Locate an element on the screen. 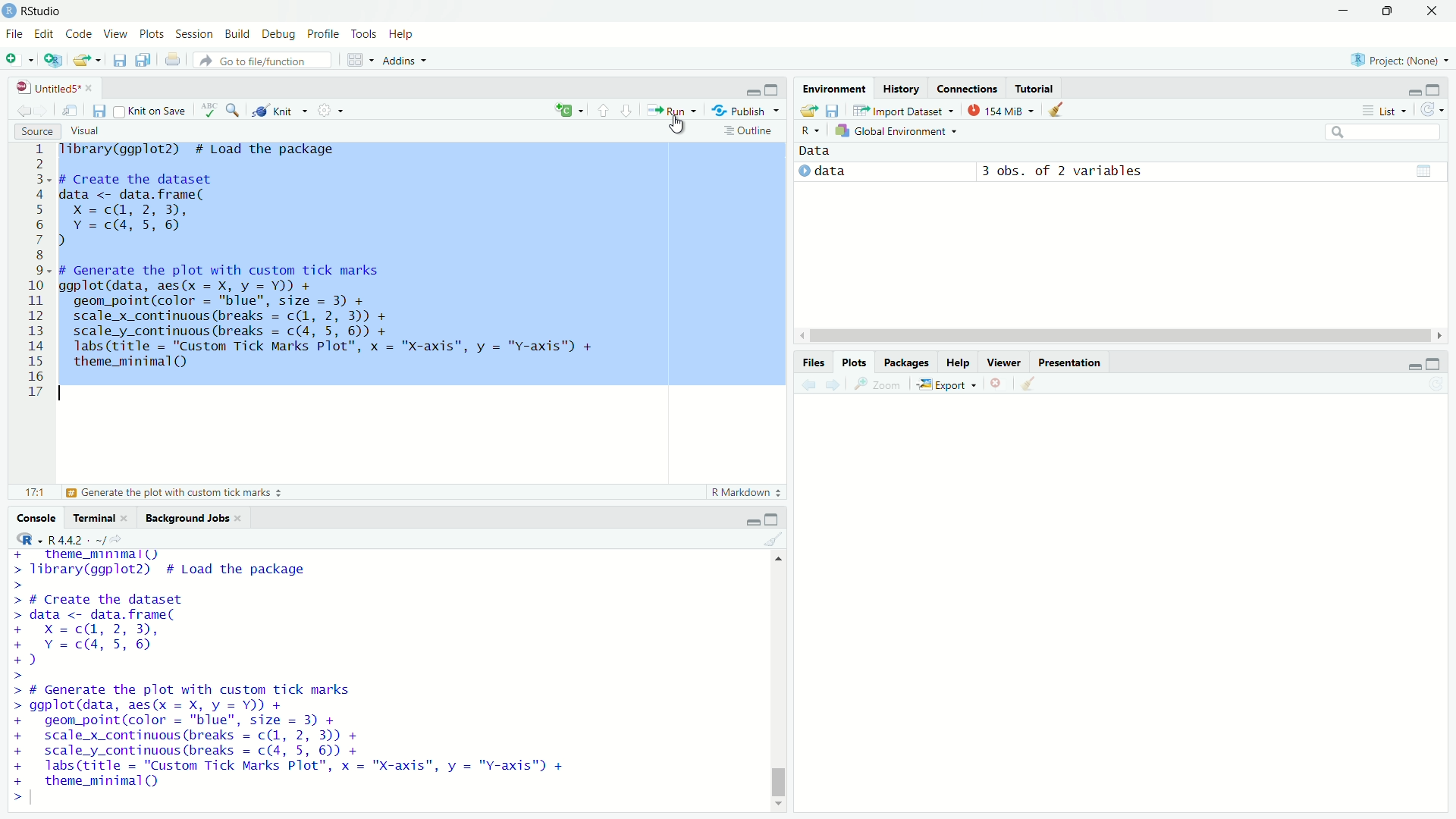 The image size is (1456, 819). select language is located at coordinates (22, 539).